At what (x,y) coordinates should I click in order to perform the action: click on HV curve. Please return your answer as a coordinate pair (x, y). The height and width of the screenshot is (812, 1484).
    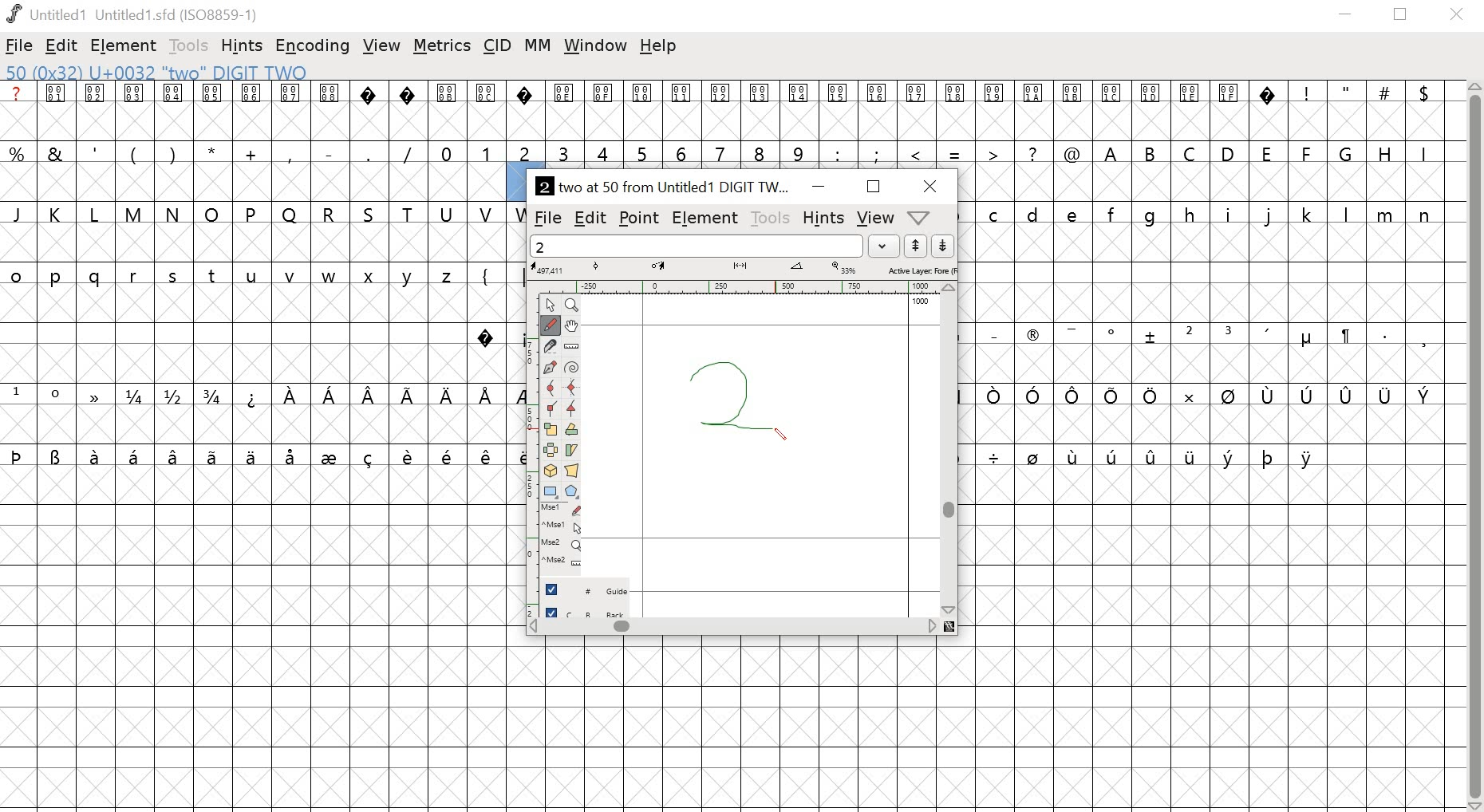
    Looking at the image, I should click on (571, 388).